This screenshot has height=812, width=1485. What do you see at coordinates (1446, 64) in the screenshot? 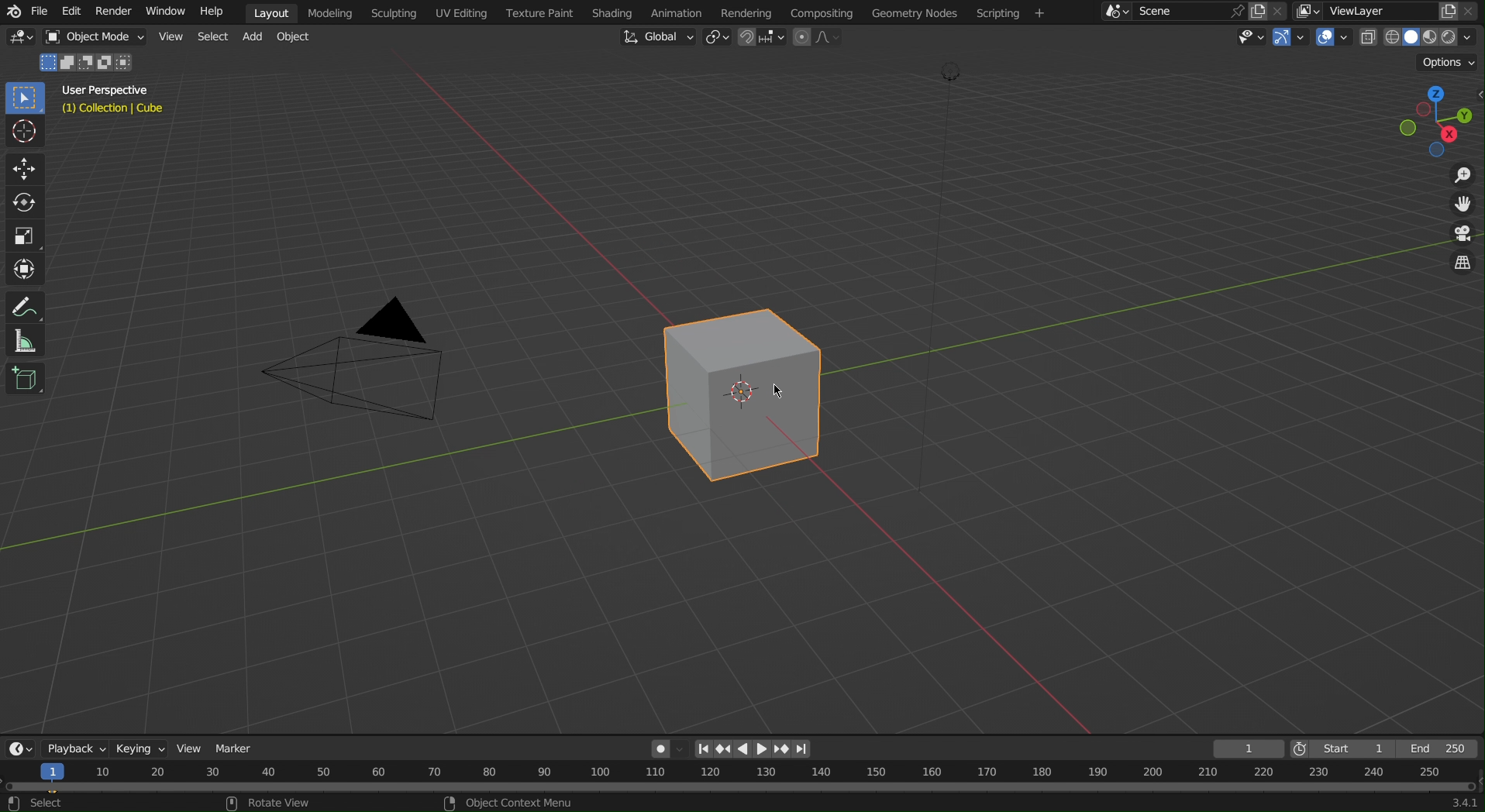
I see `Options` at bounding box center [1446, 64].